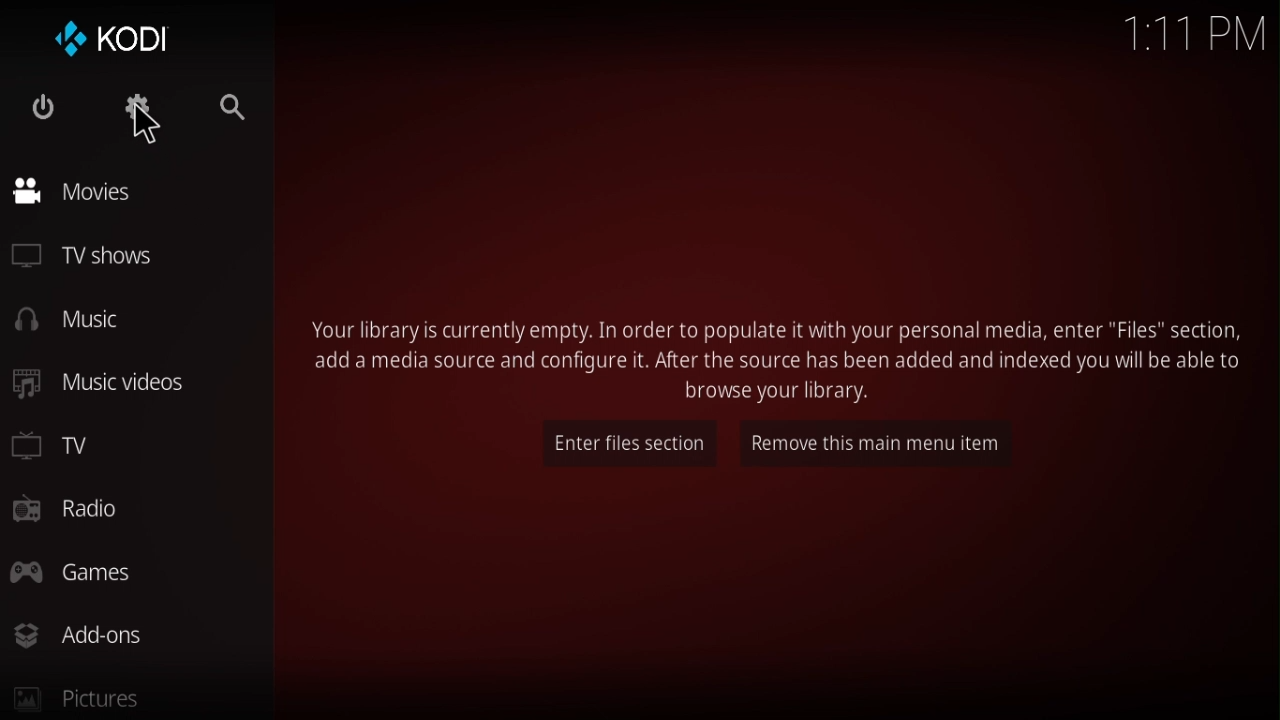  What do you see at coordinates (105, 381) in the screenshot?
I see `music videos` at bounding box center [105, 381].